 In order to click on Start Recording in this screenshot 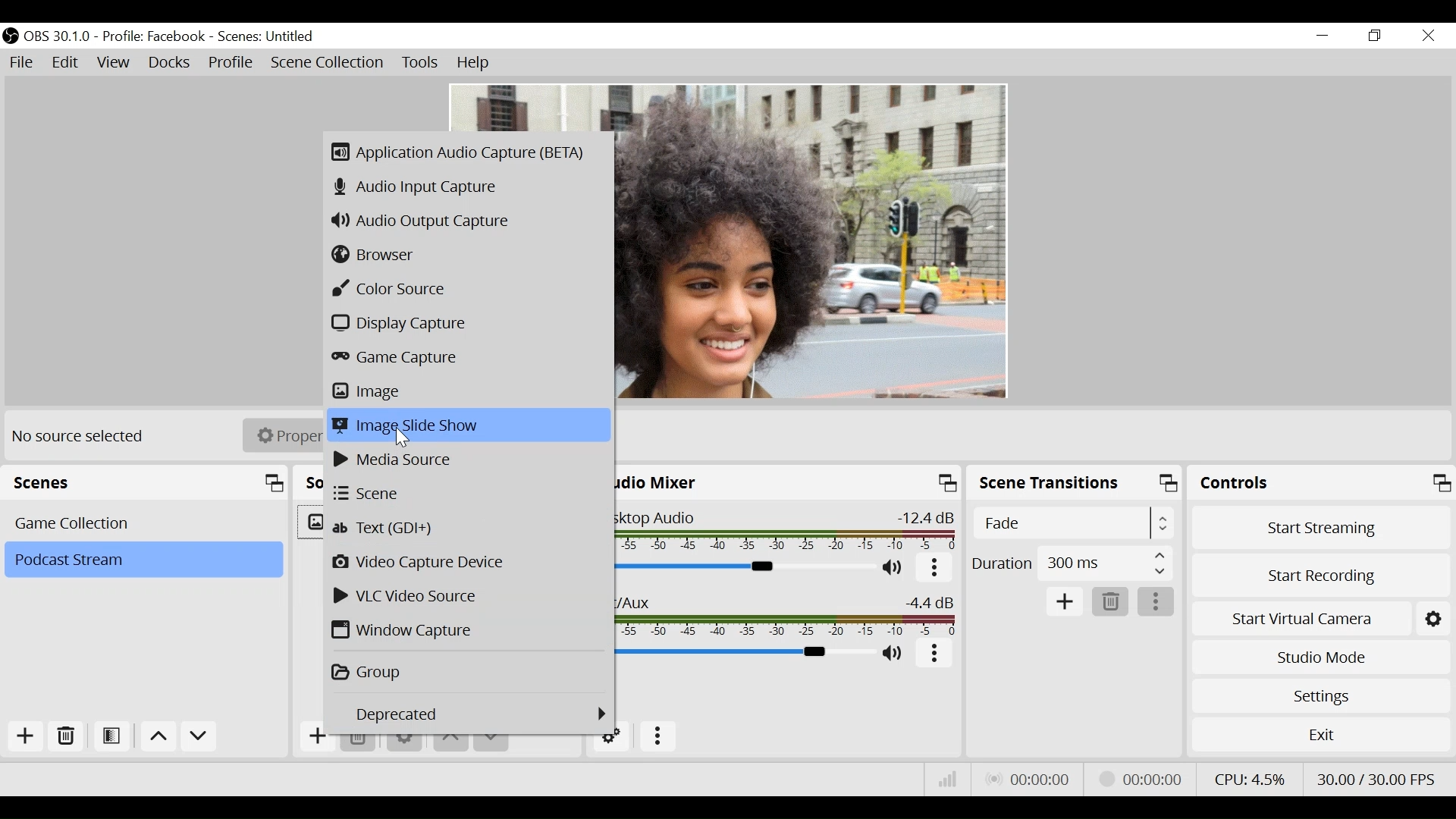, I will do `click(1323, 571)`.